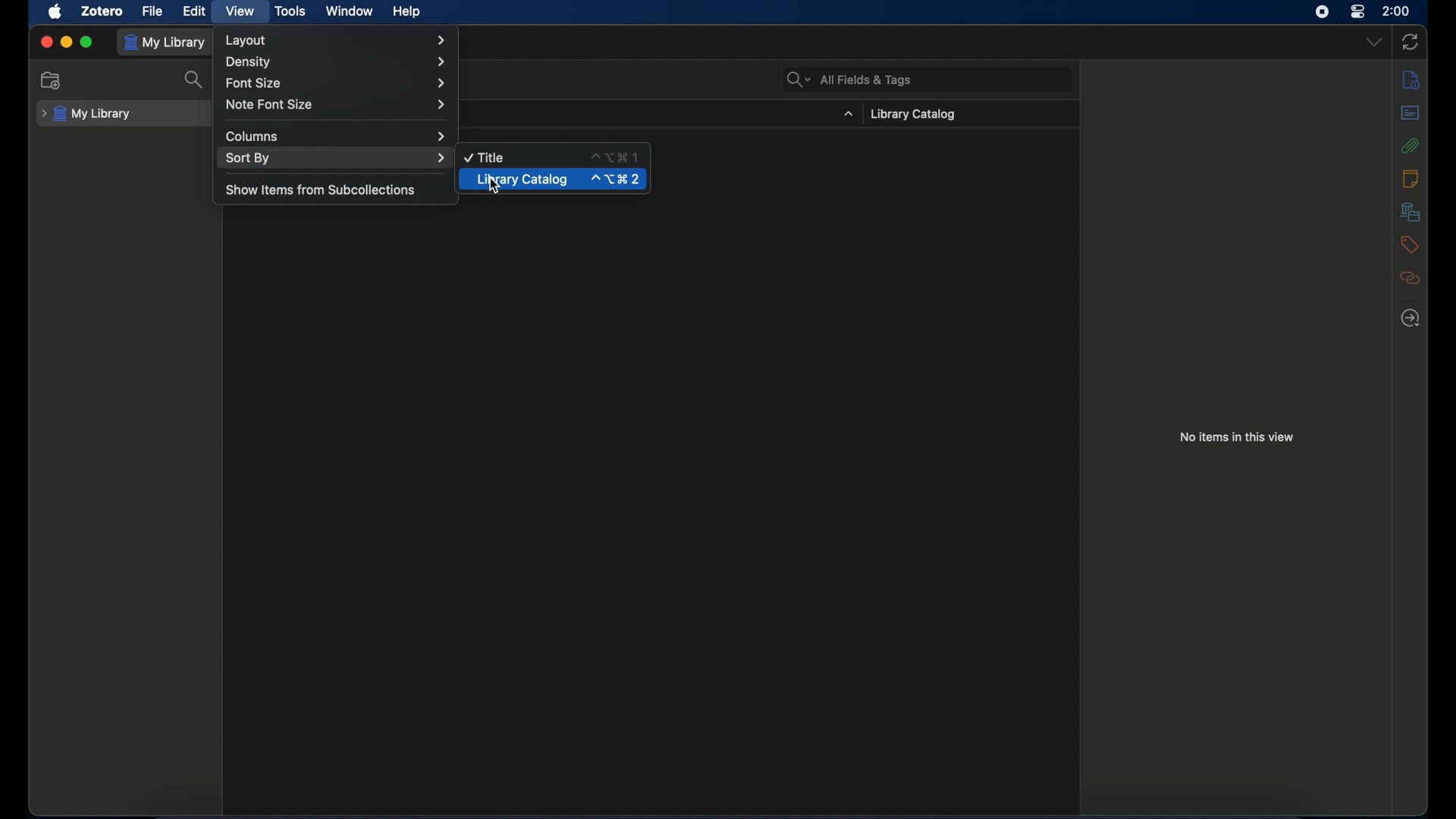 The width and height of the screenshot is (1456, 819). Describe the element at coordinates (1359, 11) in the screenshot. I see `control center` at that location.